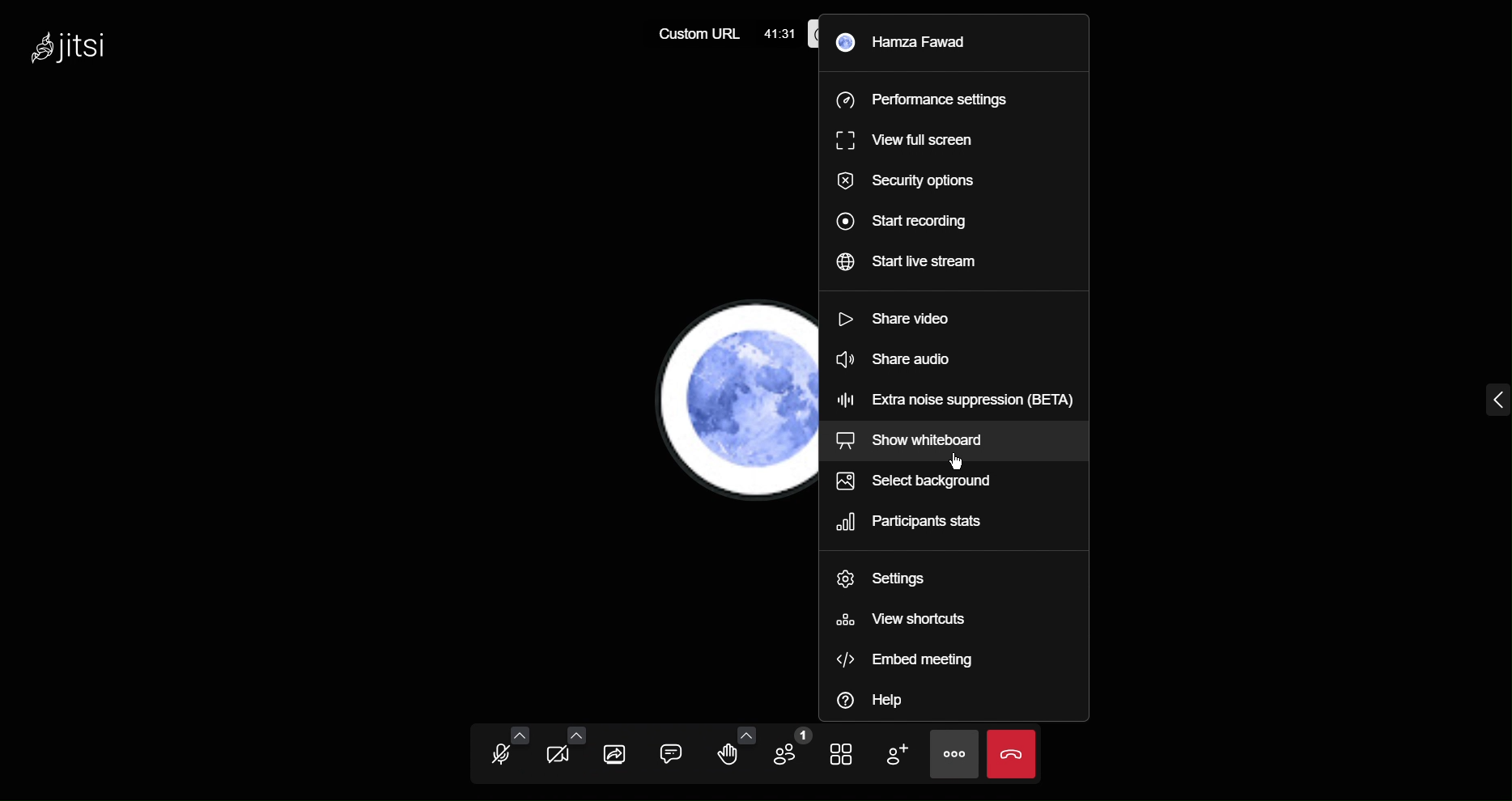 This screenshot has height=801, width=1512. I want to click on Embed meeting, so click(903, 659).